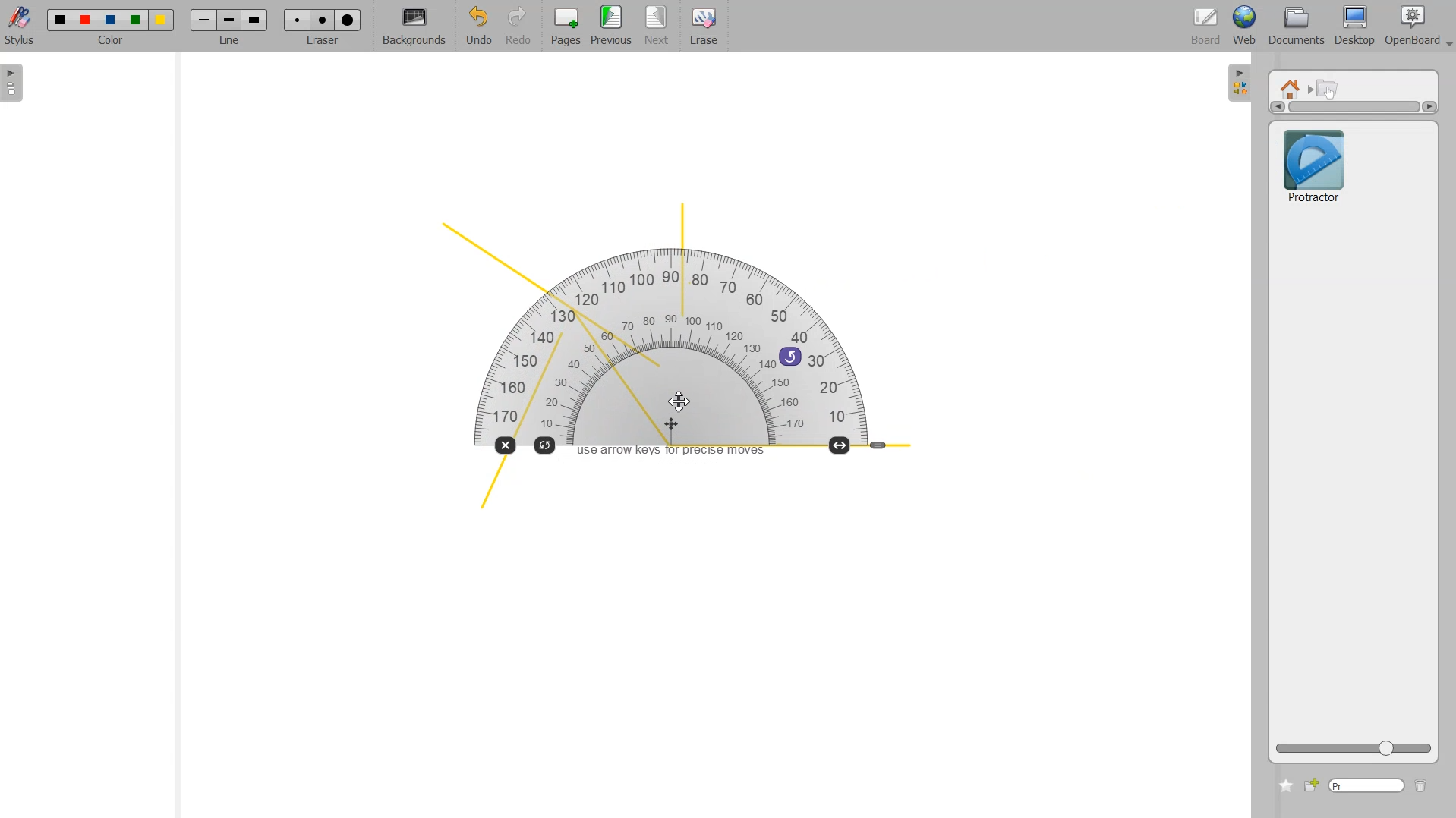 This screenshot has width=1456, height=818. What do you see at coordinates (322, 20) in the screenshot?
I see `Erase` at bounding box center [322, 20].